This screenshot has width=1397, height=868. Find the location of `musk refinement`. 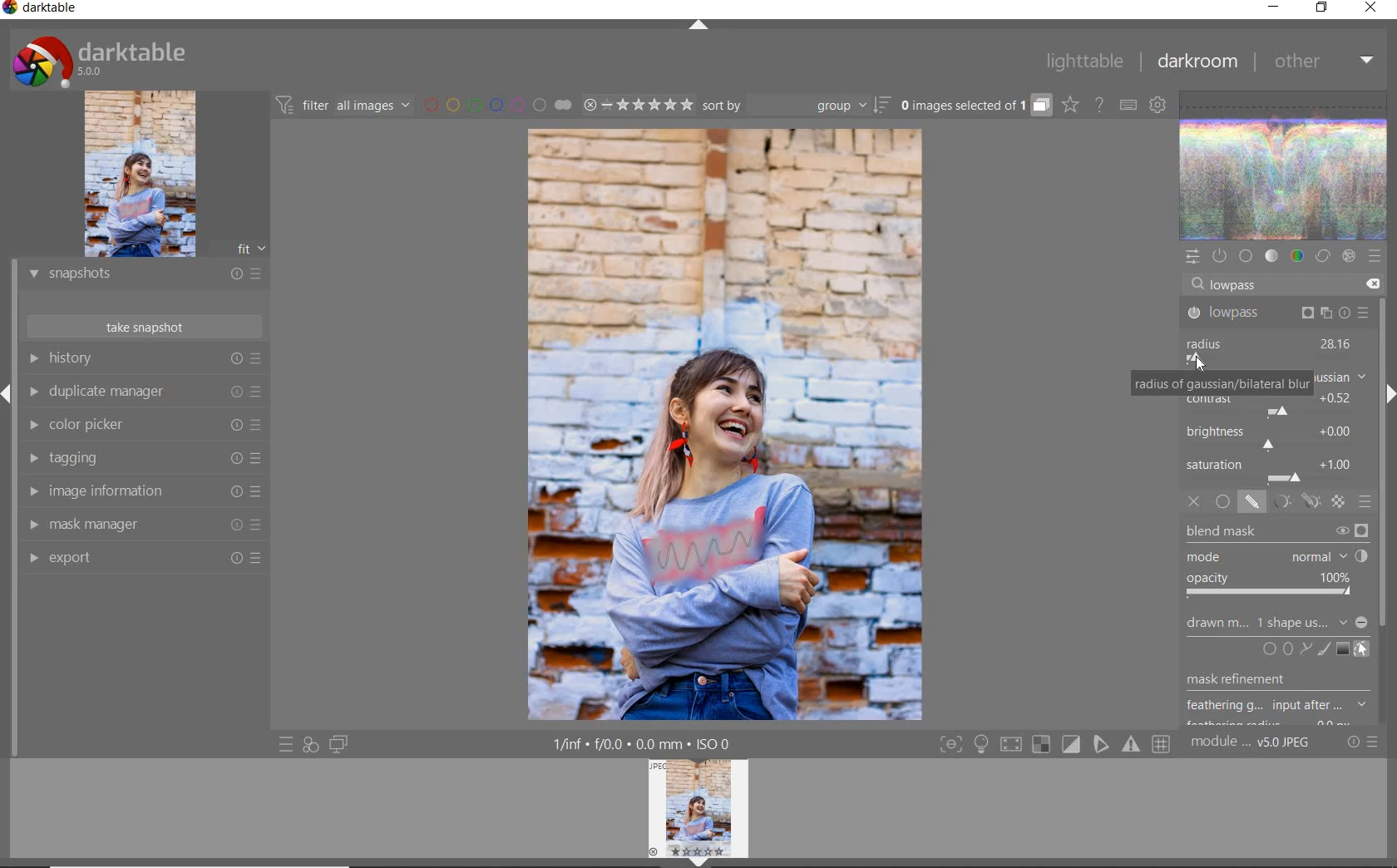

musk refinement is located at coordinates (1266, 682).